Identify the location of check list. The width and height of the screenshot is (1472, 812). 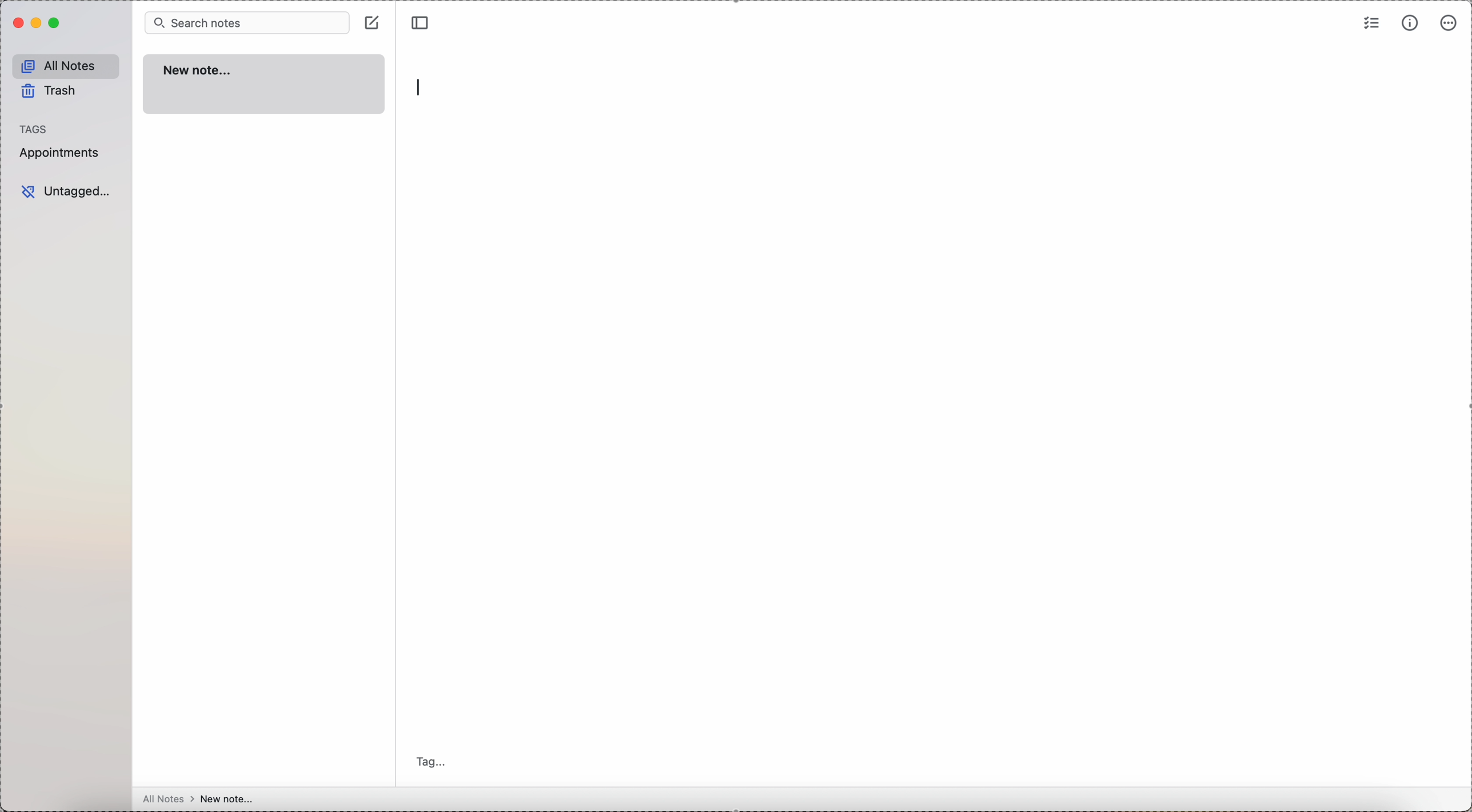
(1372, 22).